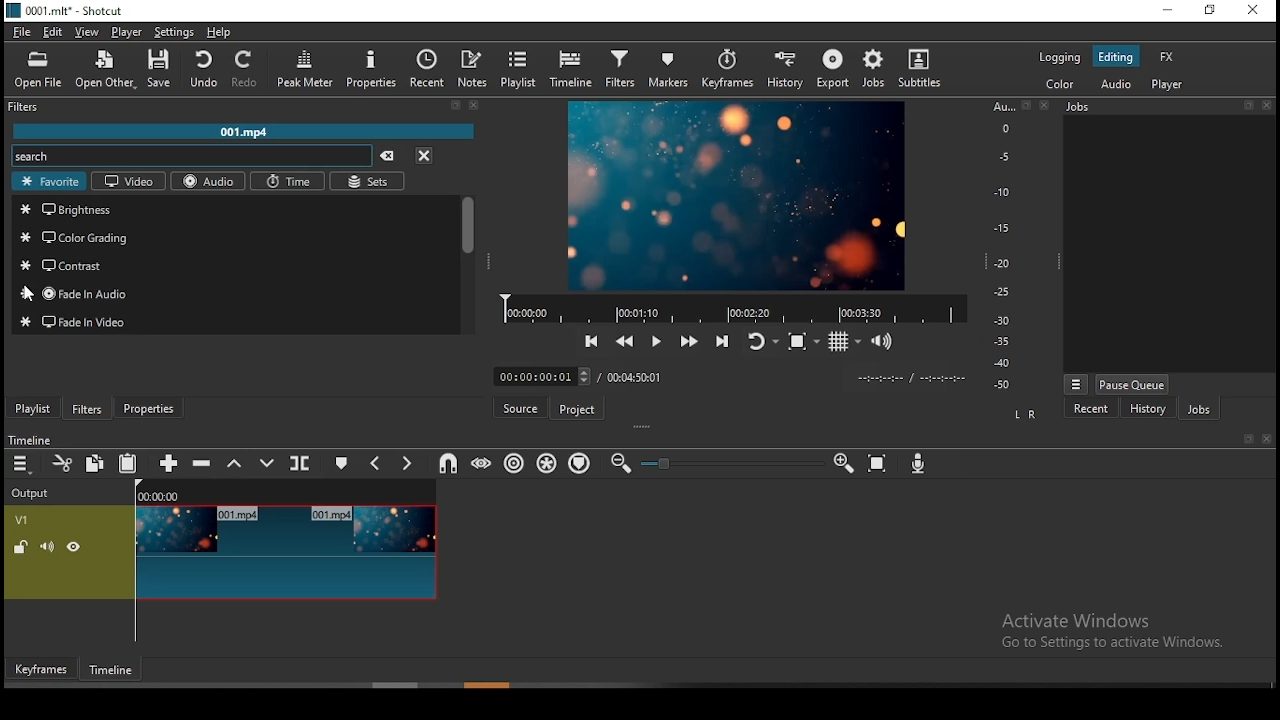 This screenshot has height=720, width=1280. I want to click on paste, so click(127, 464).